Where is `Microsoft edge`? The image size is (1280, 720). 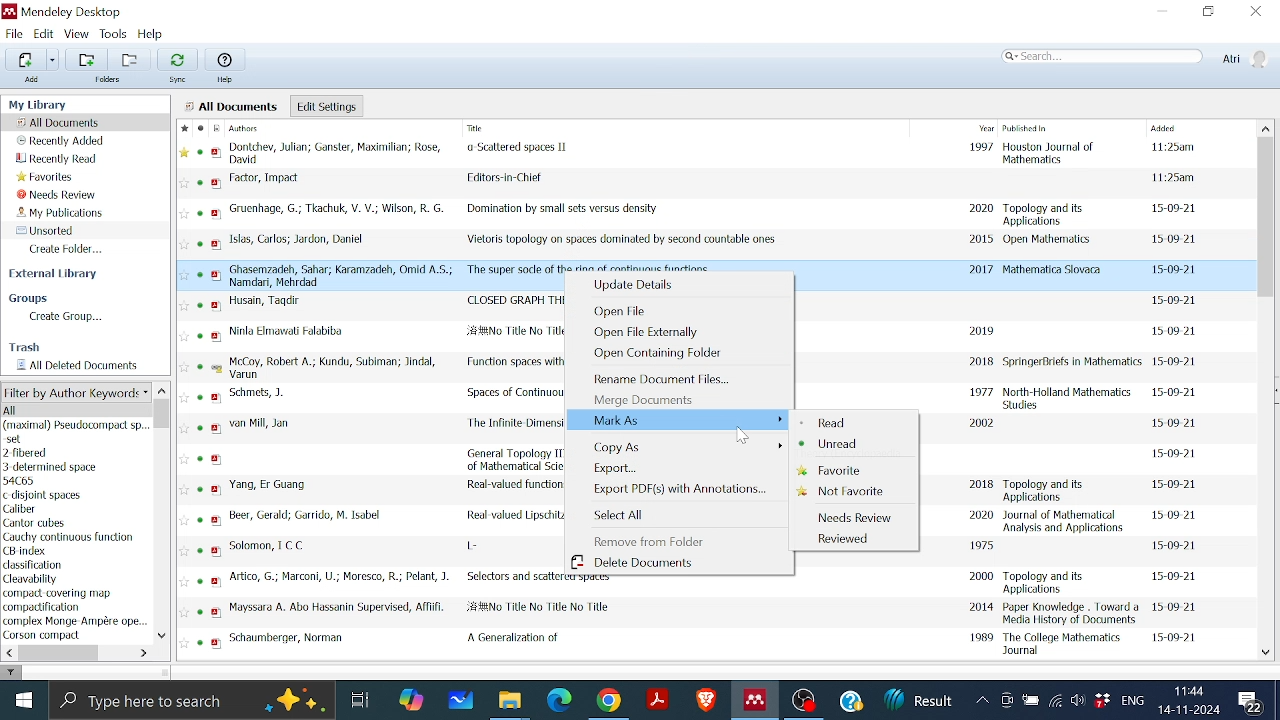 Microsoft edge is located at coordinates (560, 698).